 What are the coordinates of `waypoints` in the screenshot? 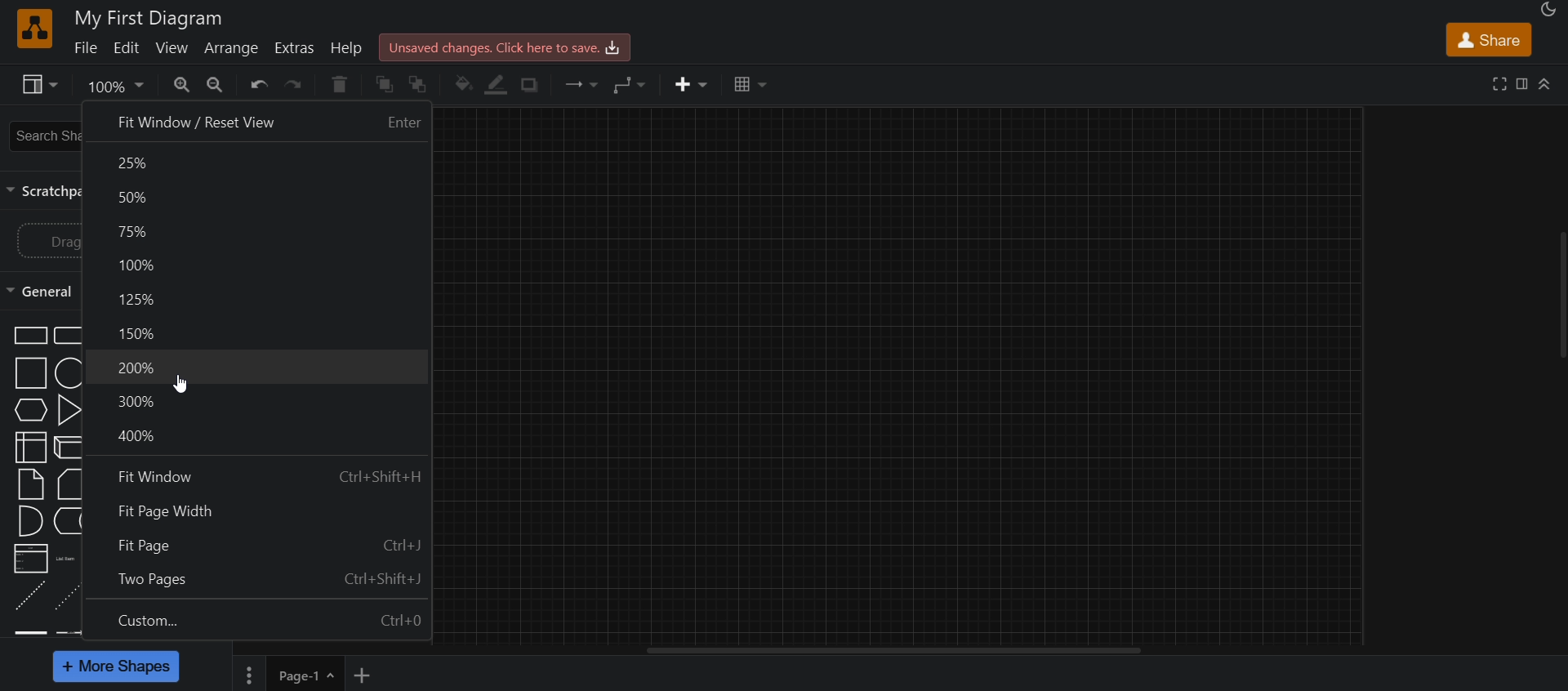 It's located at (630, 83).